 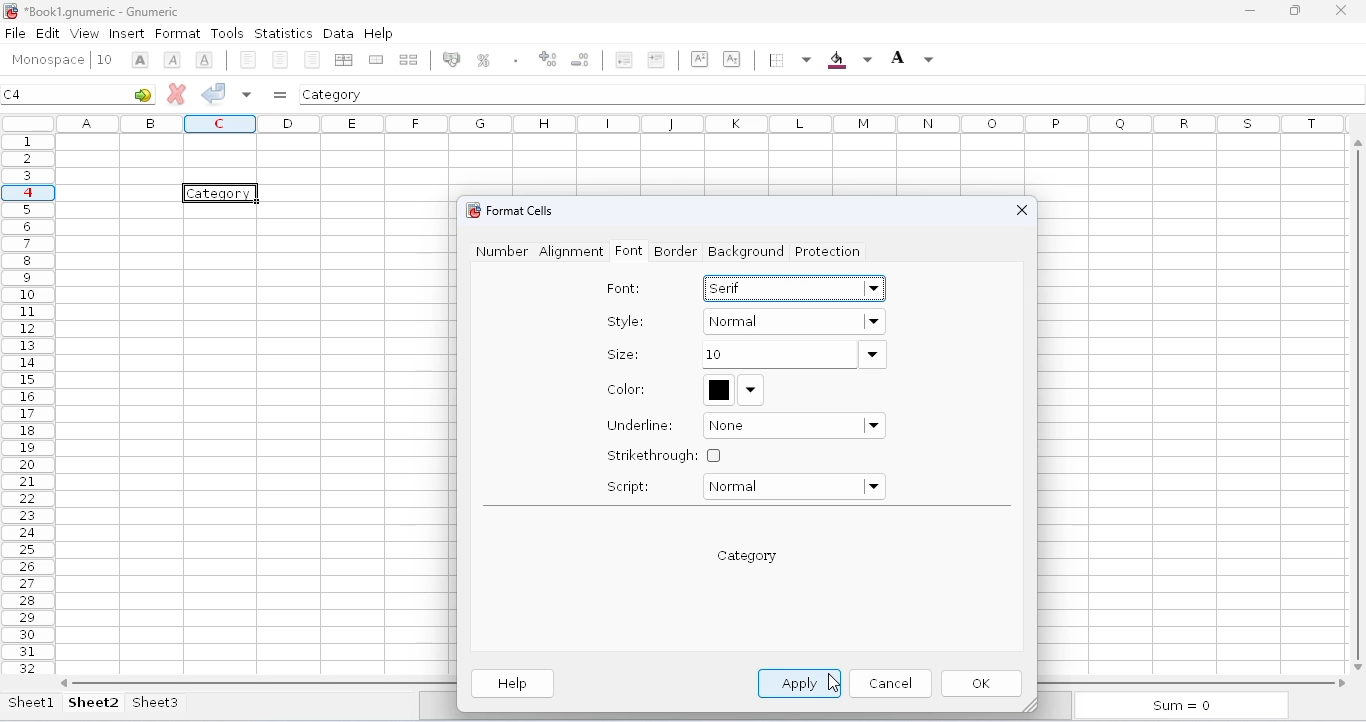 I want to click on sheet1, so click(x=32, y=702).